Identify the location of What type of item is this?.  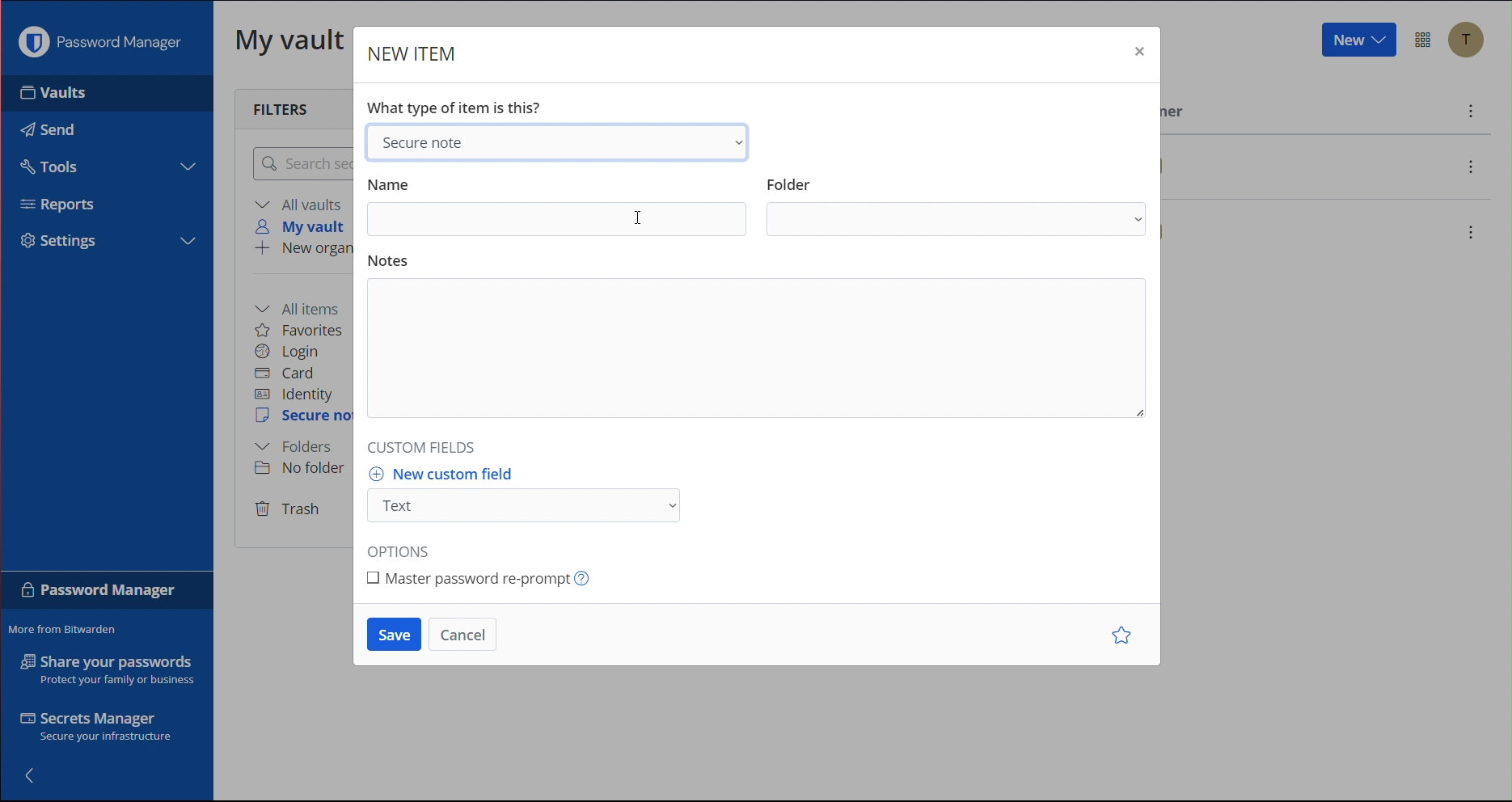
(458, 105).